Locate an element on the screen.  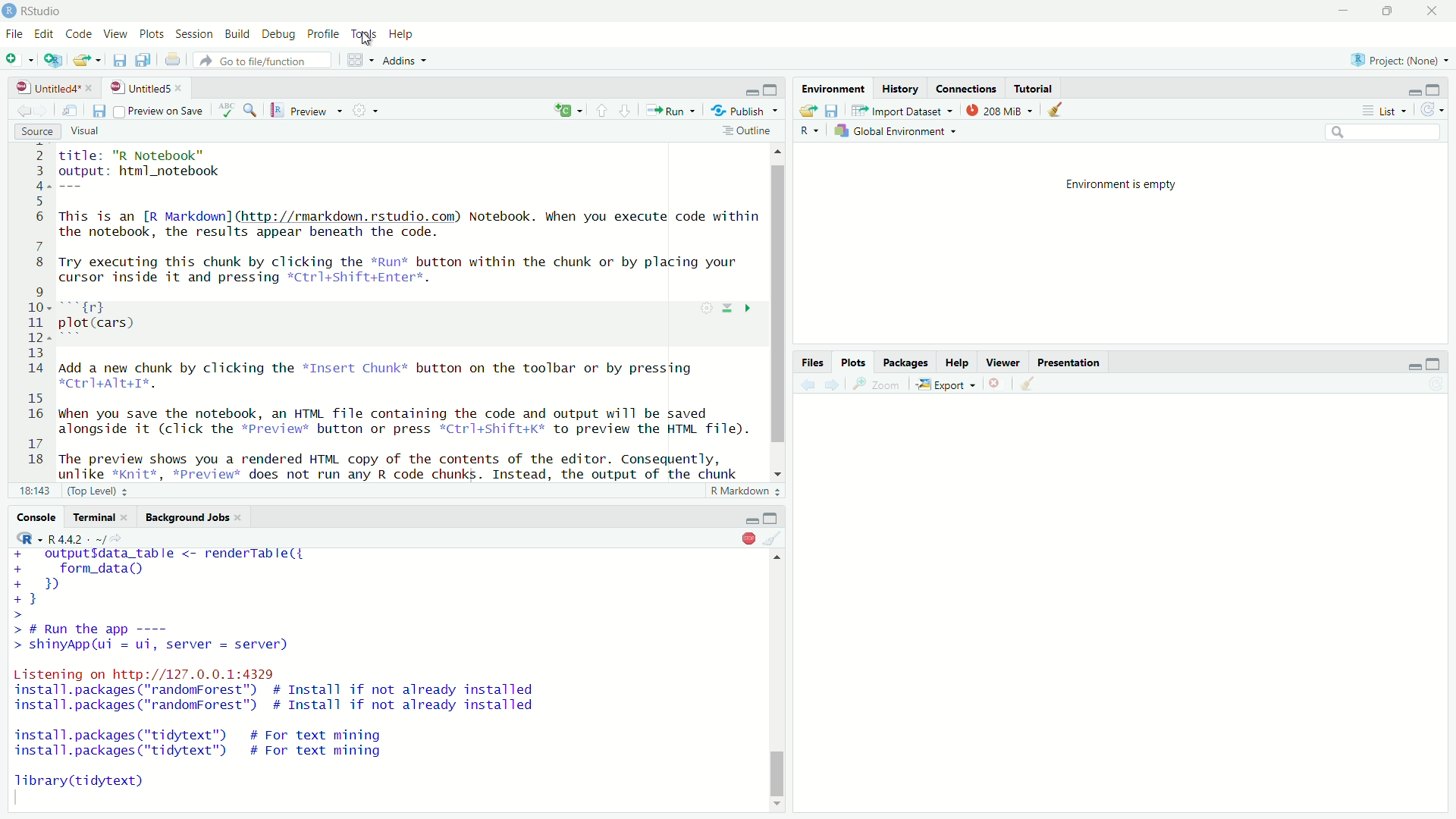
Presentation is located at coordinates (1068, 362).